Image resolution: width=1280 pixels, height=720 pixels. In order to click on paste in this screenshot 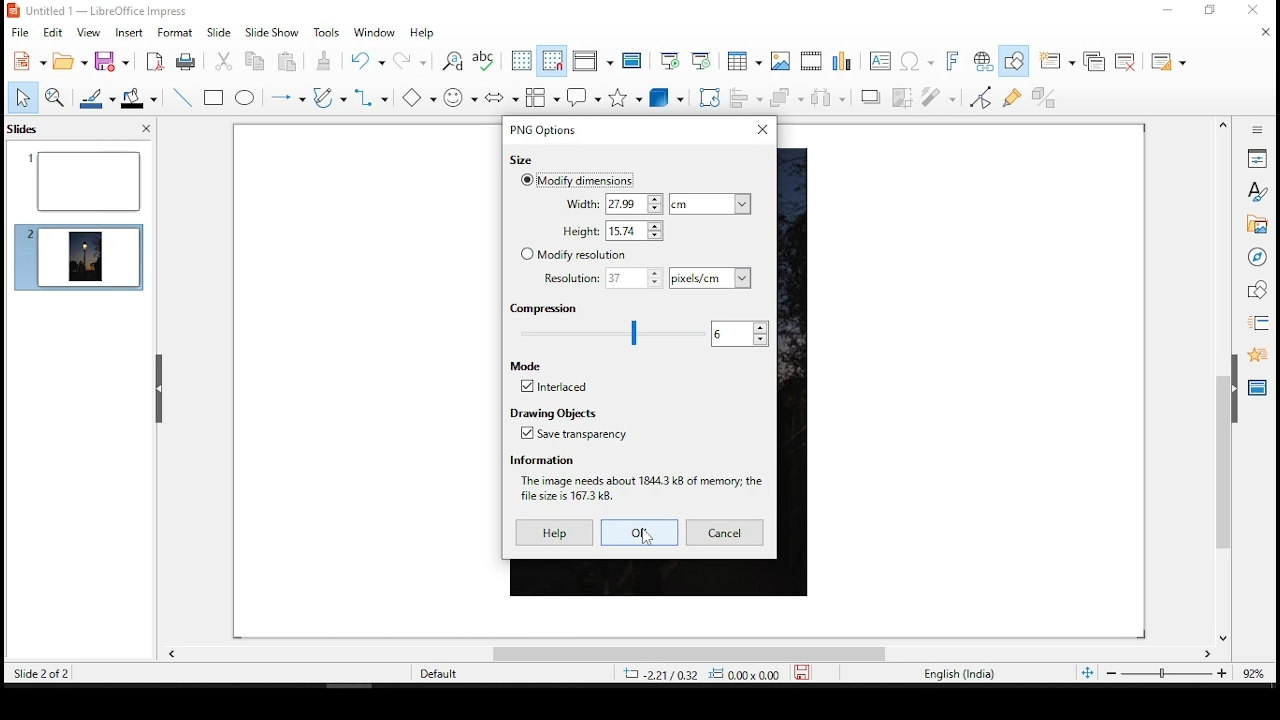, I will do `click(287, 61)`.